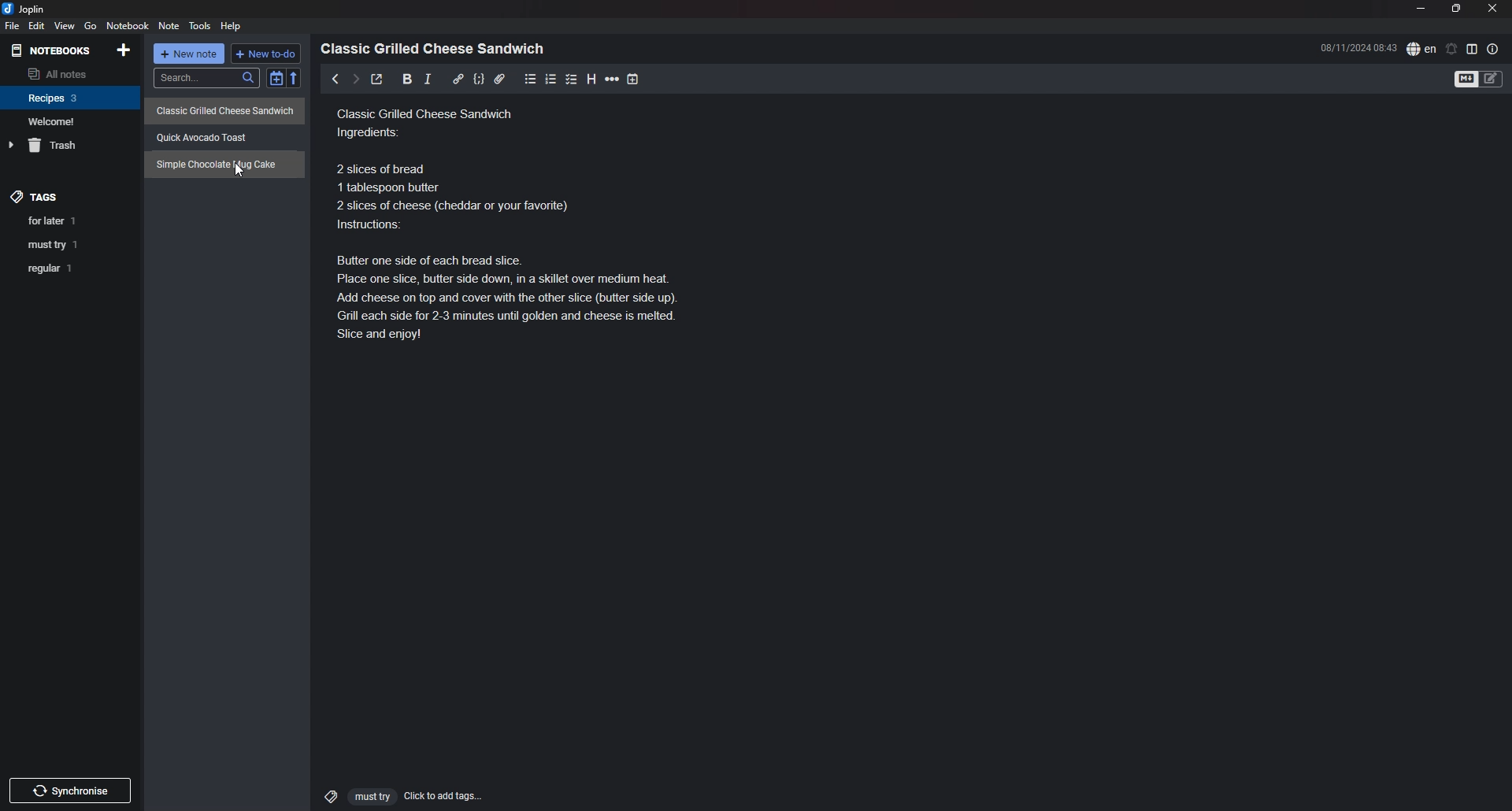 This screenshot has width=1512, height=811. I want to click on heading, so click(437, 49).